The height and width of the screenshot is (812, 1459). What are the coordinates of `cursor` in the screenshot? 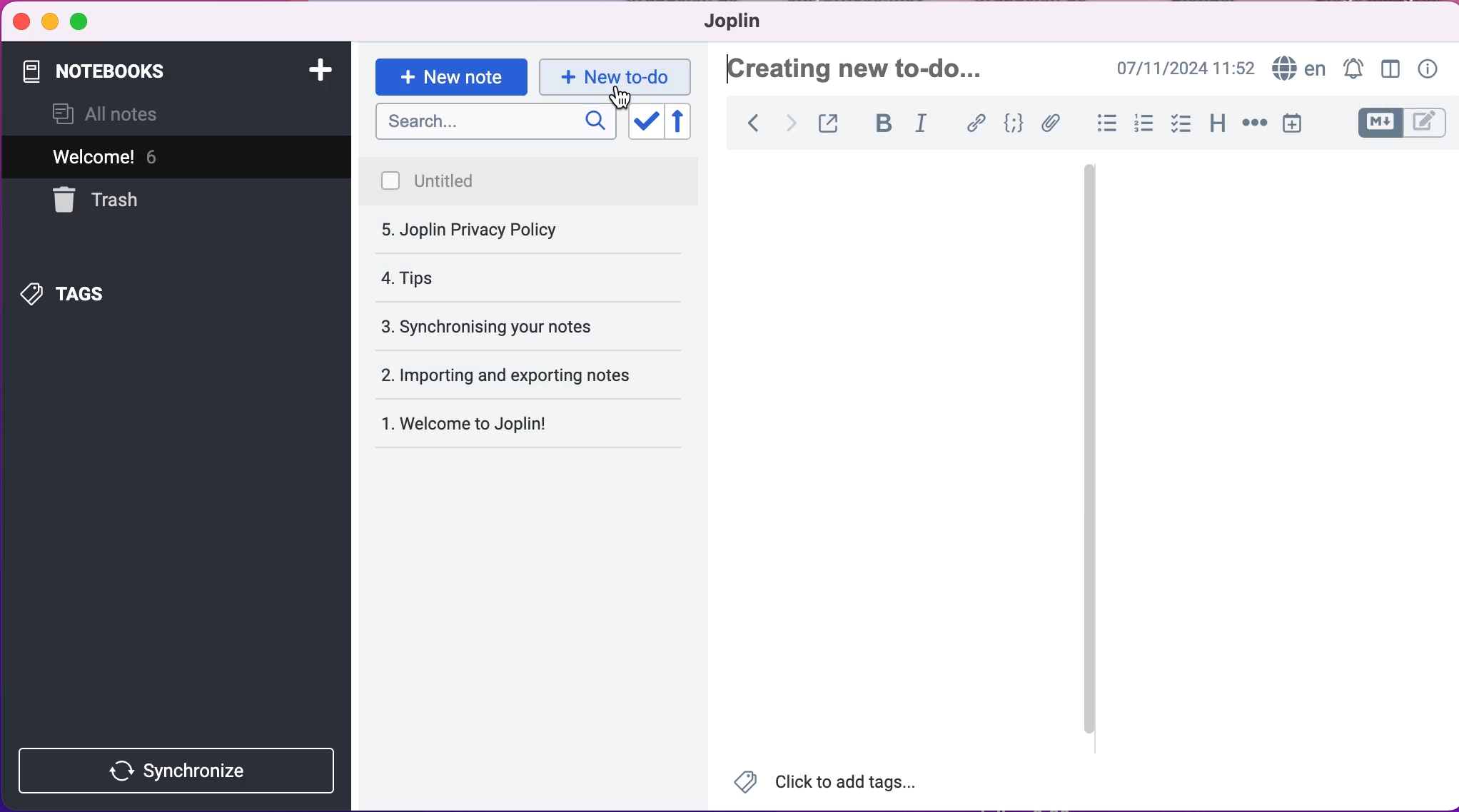 It's located at (617, 97).